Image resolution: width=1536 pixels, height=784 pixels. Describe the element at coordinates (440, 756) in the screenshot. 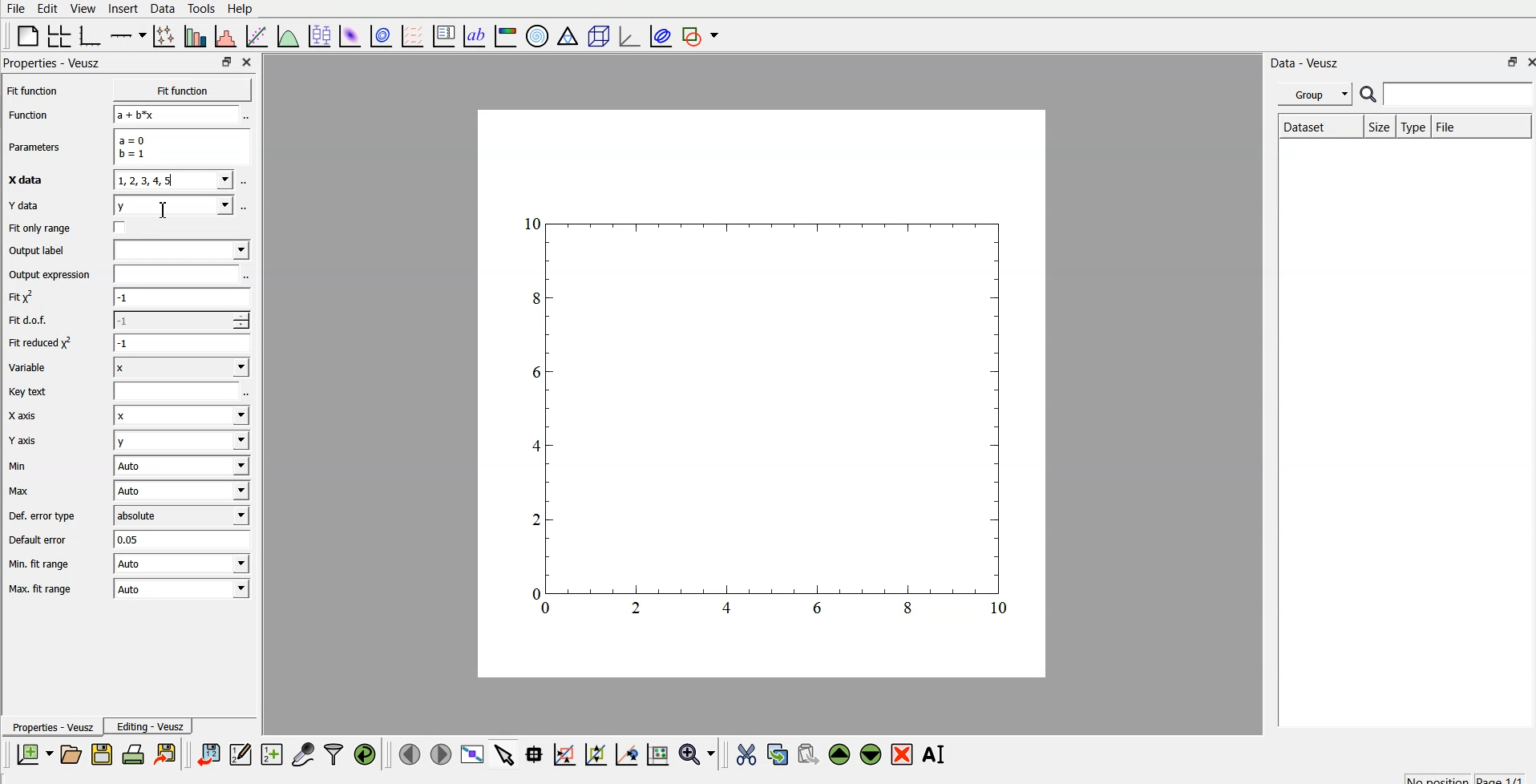

I see `next page` at that location.